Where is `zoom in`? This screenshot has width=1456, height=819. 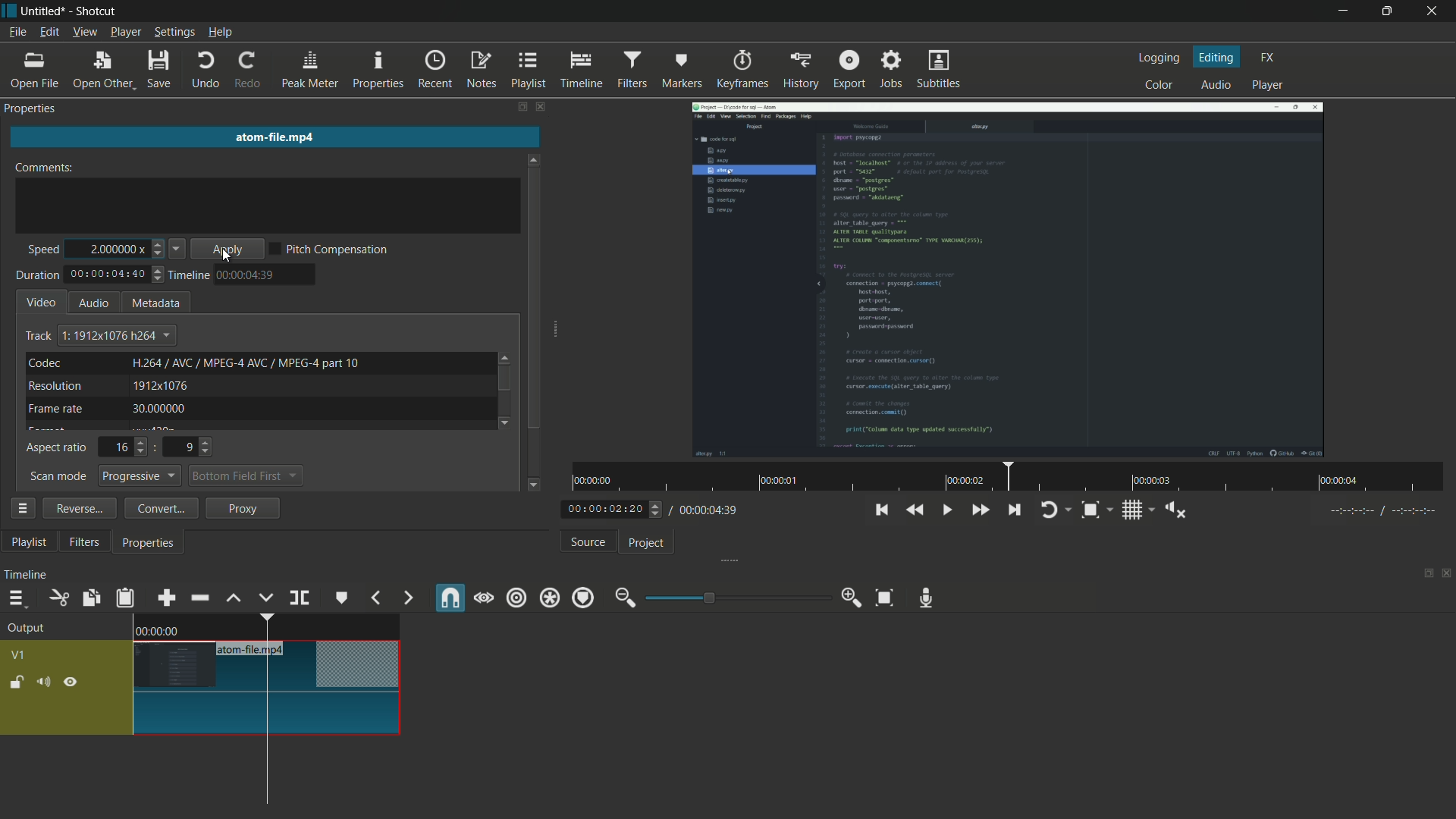 zoom in is located at coordinates (853, 597).